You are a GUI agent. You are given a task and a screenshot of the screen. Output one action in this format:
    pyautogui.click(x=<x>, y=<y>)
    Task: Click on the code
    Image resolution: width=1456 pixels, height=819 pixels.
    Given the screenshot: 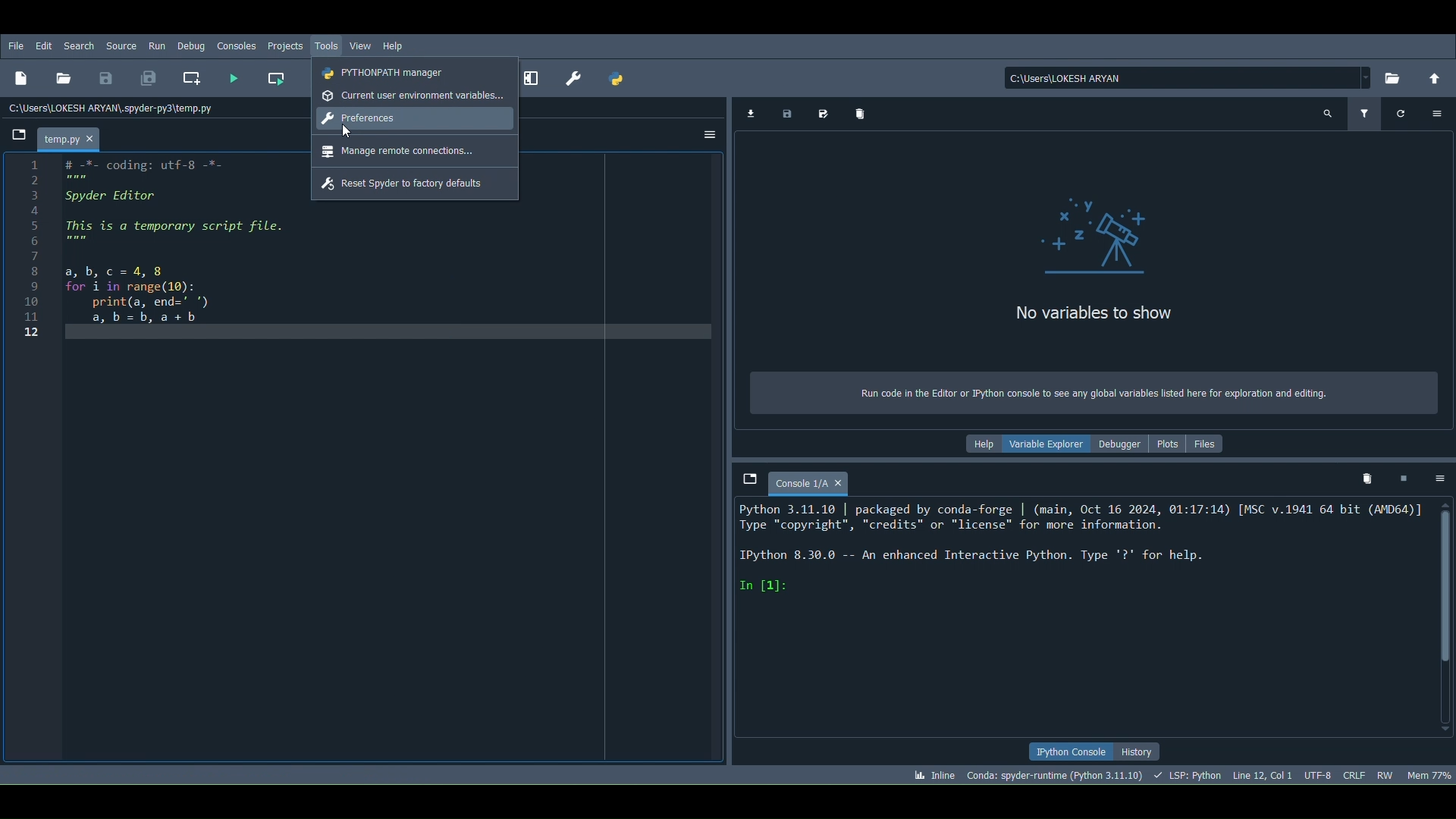 What is the action you would take?
    pyautogui.click(x=182, y=242)
    